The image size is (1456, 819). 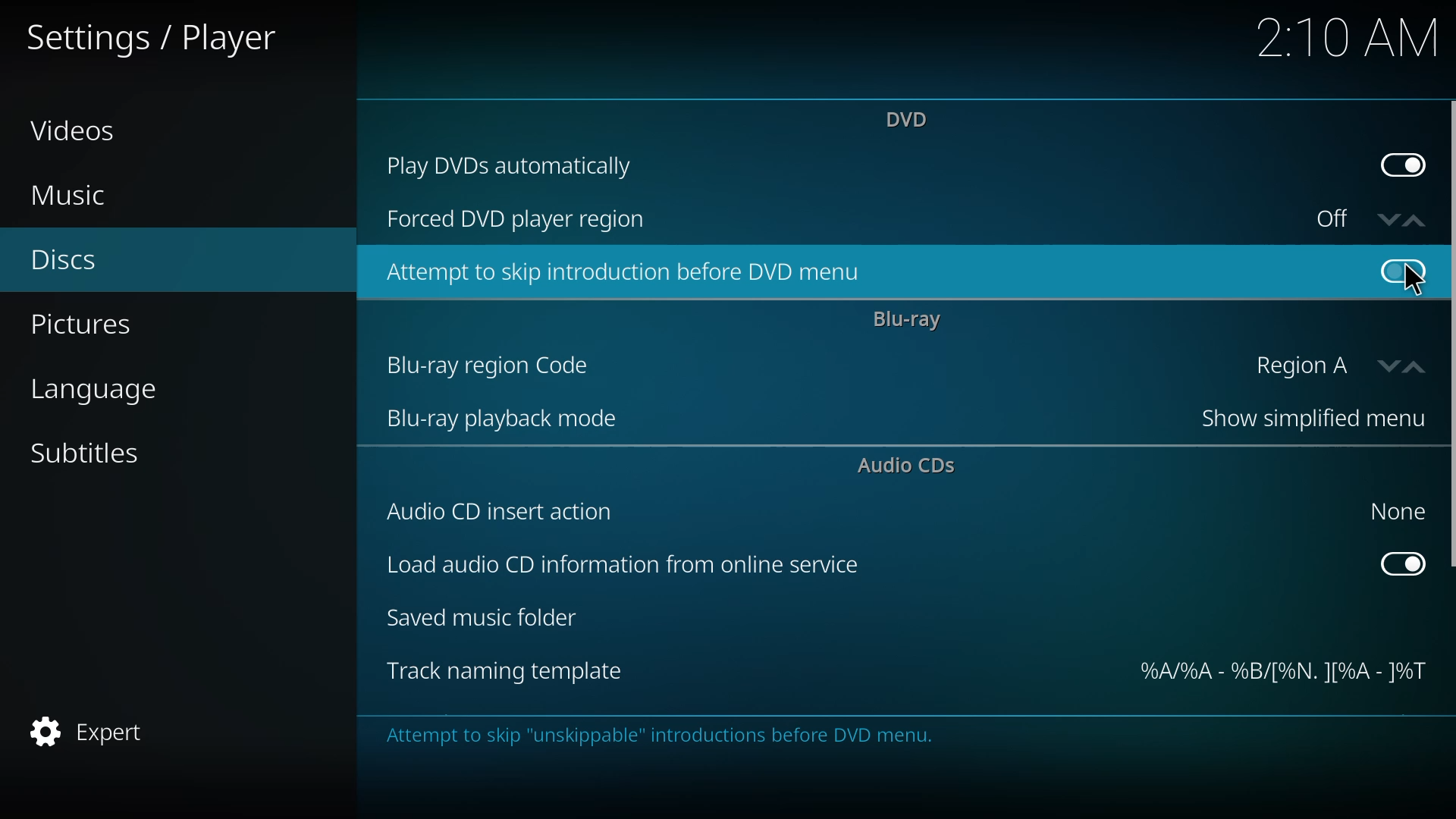 I want to click on bluray region code, so click(x=494, y=366).